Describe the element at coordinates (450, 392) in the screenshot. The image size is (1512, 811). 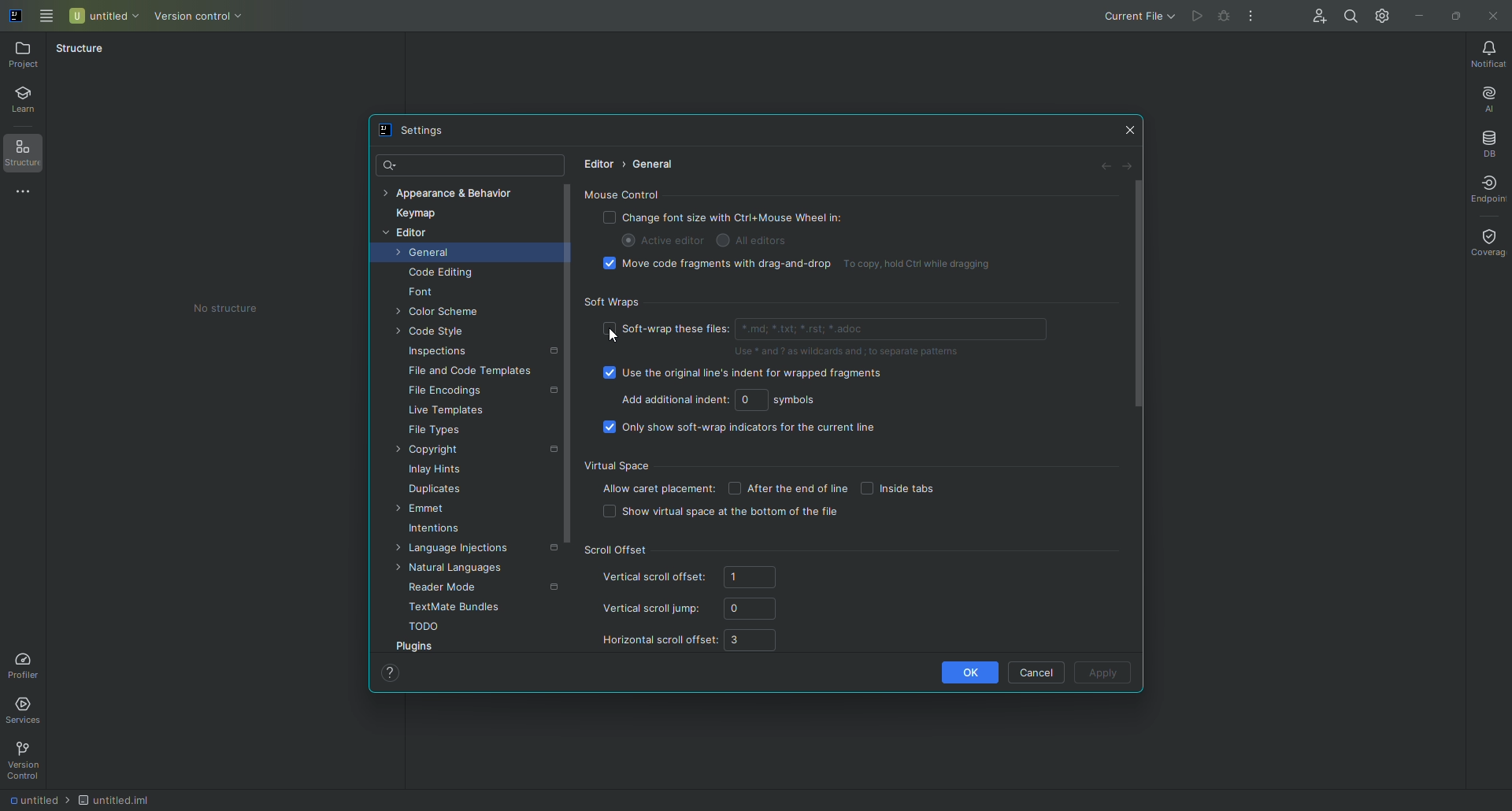
I see `File Encodings` at that location.